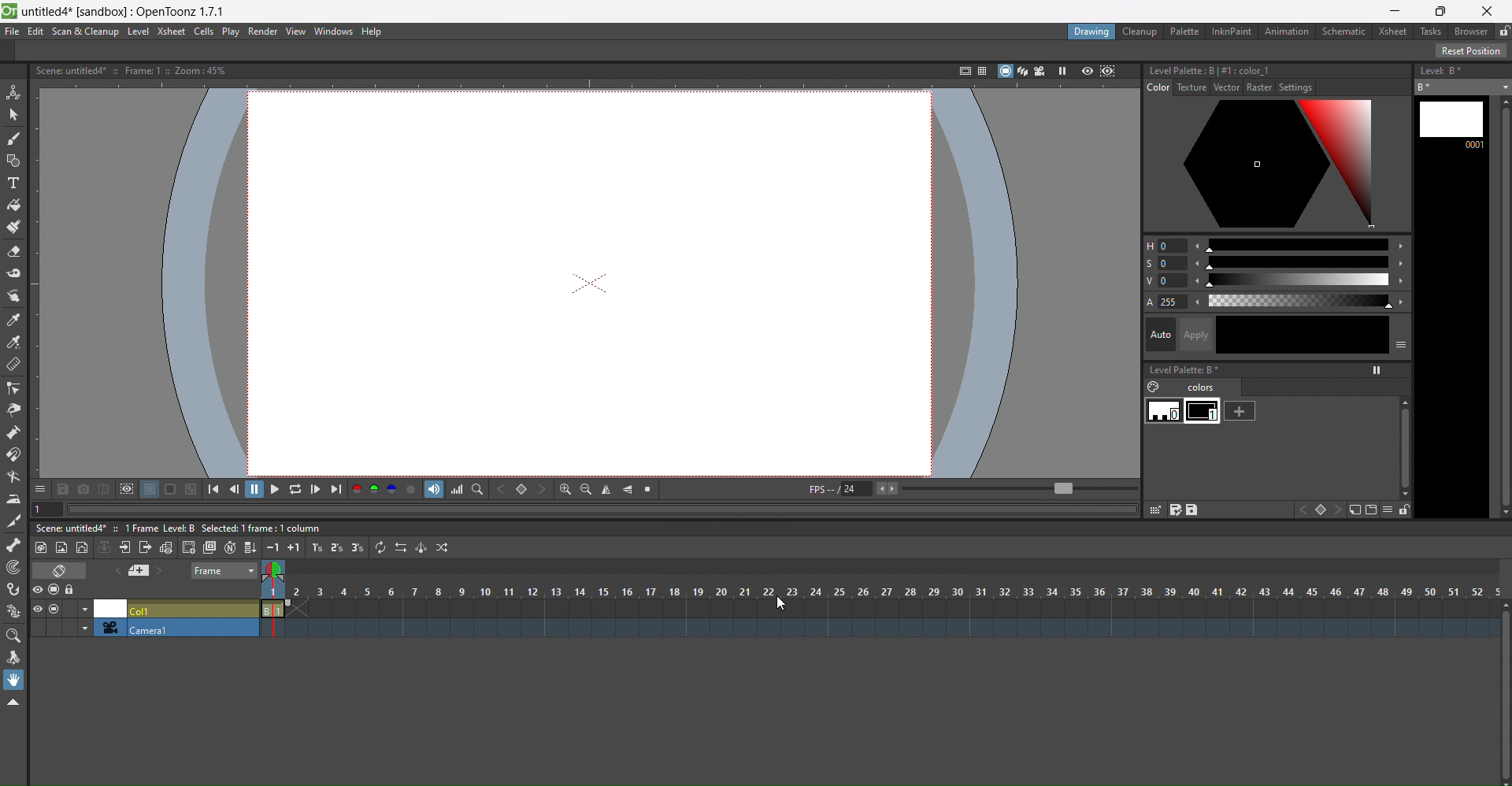  Describe the element at coordinates (250, 546) in the screenshot. I see `fill in empty cells` at that location.